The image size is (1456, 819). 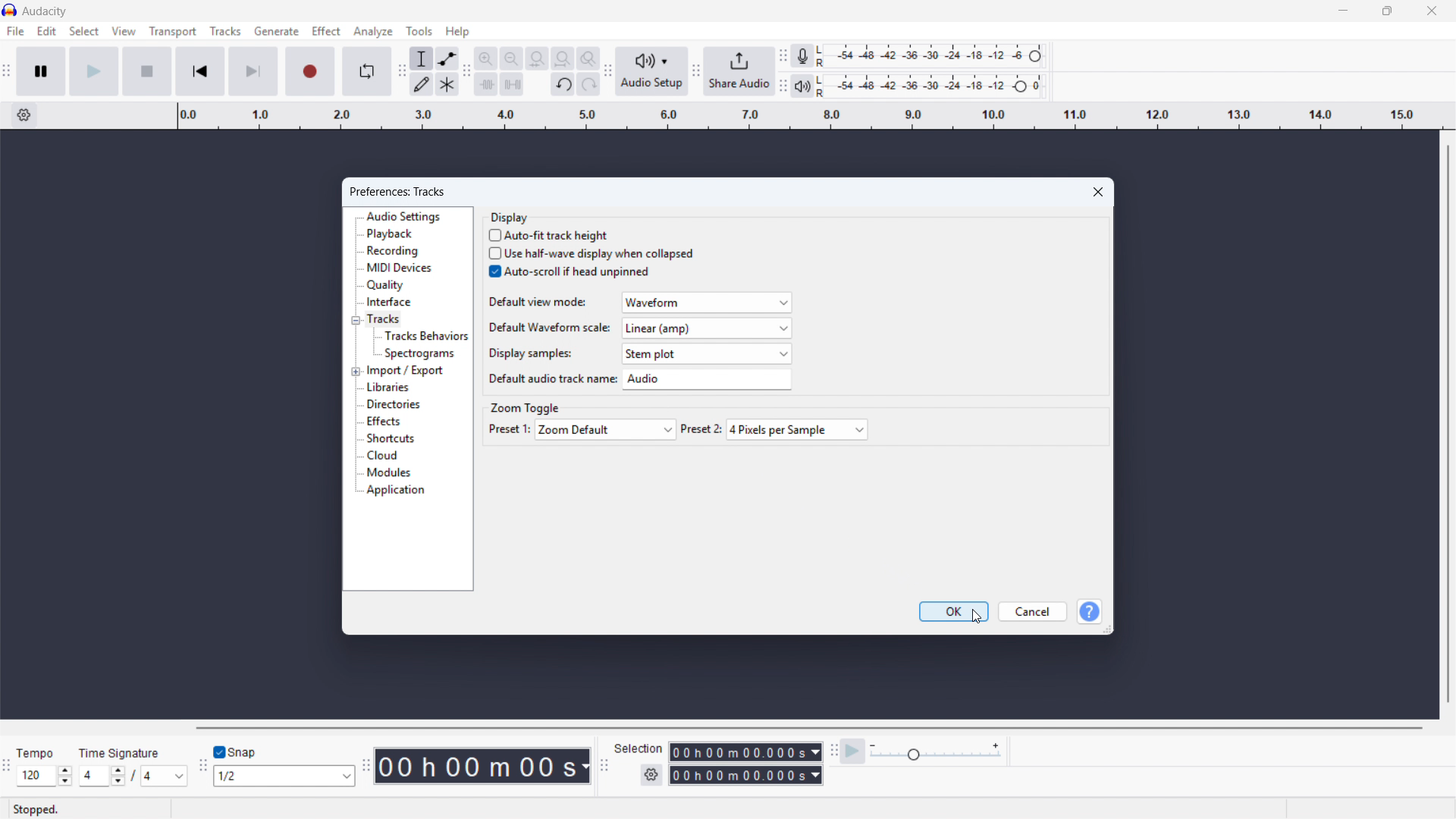 What do you see at coordinates (1430, 11) in the screenshot?
I see `close` at bounding box center [1430, 11].